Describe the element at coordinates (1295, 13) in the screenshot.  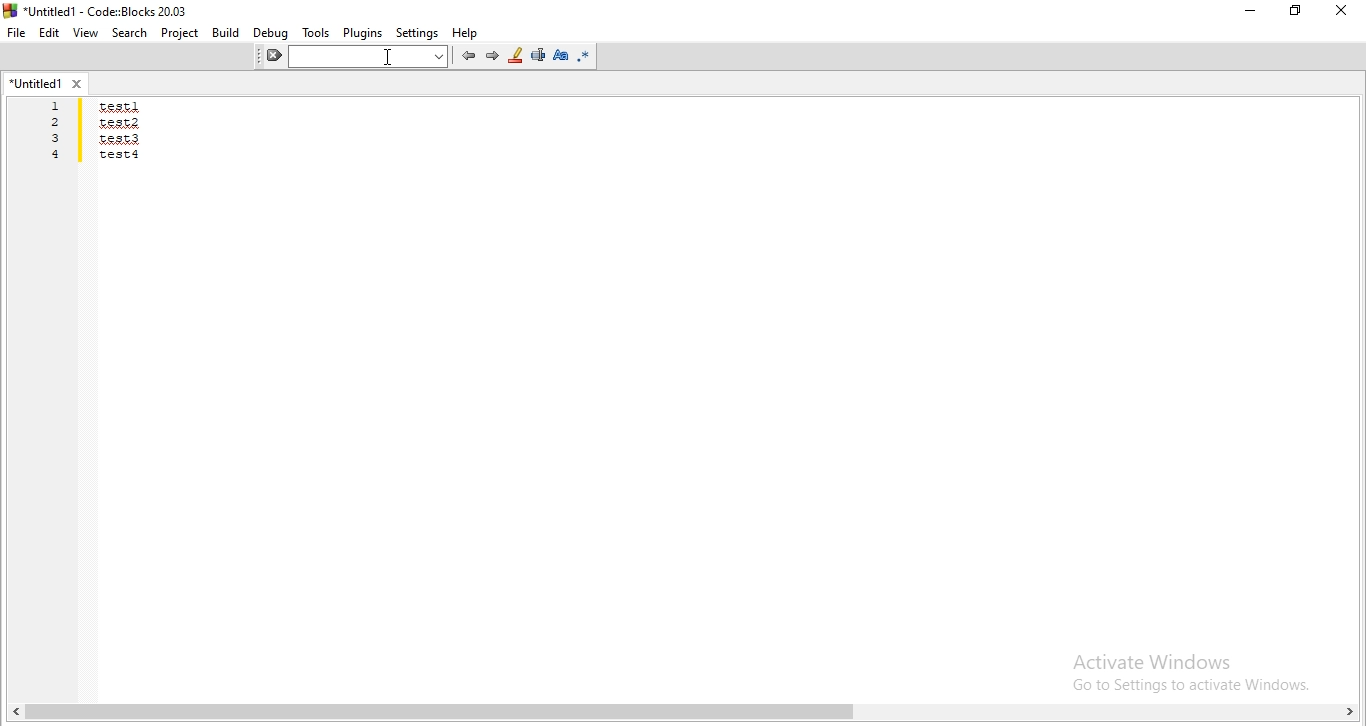
I see `Restore` at that location.